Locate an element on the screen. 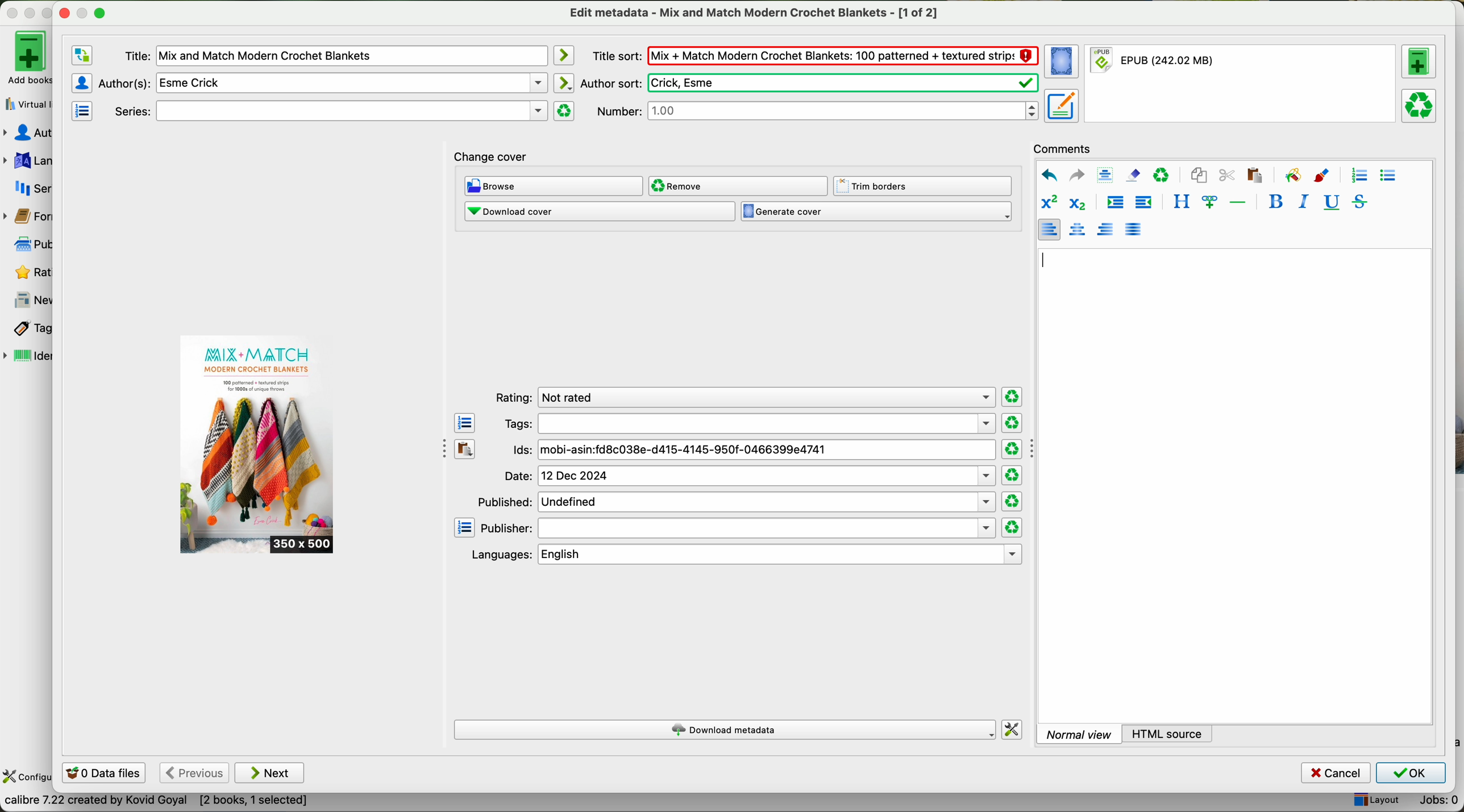 The image size is (1464, 812). superscript is located at coordinates (1049, 203).